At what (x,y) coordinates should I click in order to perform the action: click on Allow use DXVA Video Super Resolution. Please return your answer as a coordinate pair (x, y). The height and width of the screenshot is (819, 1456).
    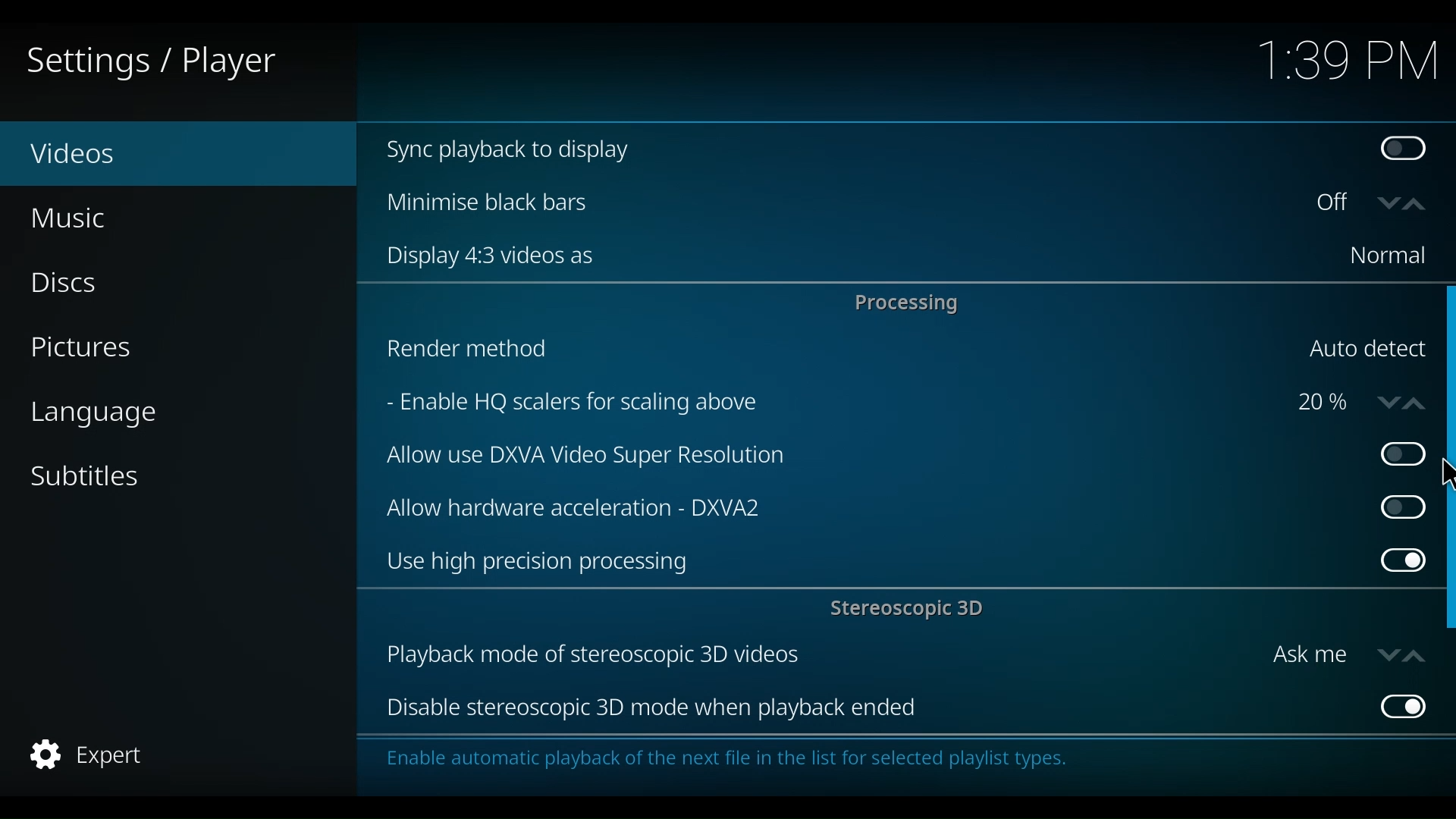
    Looking at the image, I should click on (867, 457).